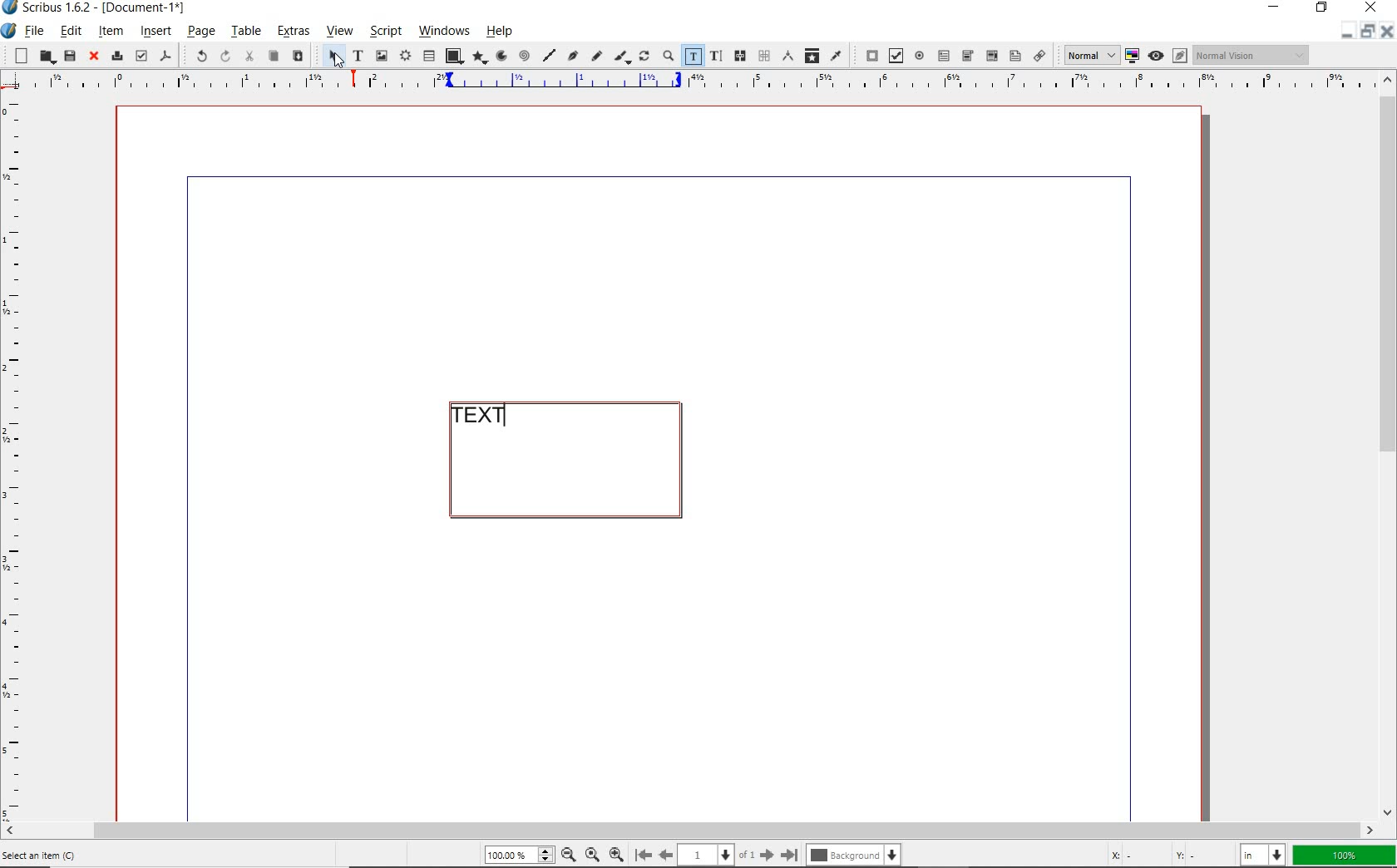  Describe the element at coordinates (692, 57) in the screenshot. I see `edit contents of frame` at that location.